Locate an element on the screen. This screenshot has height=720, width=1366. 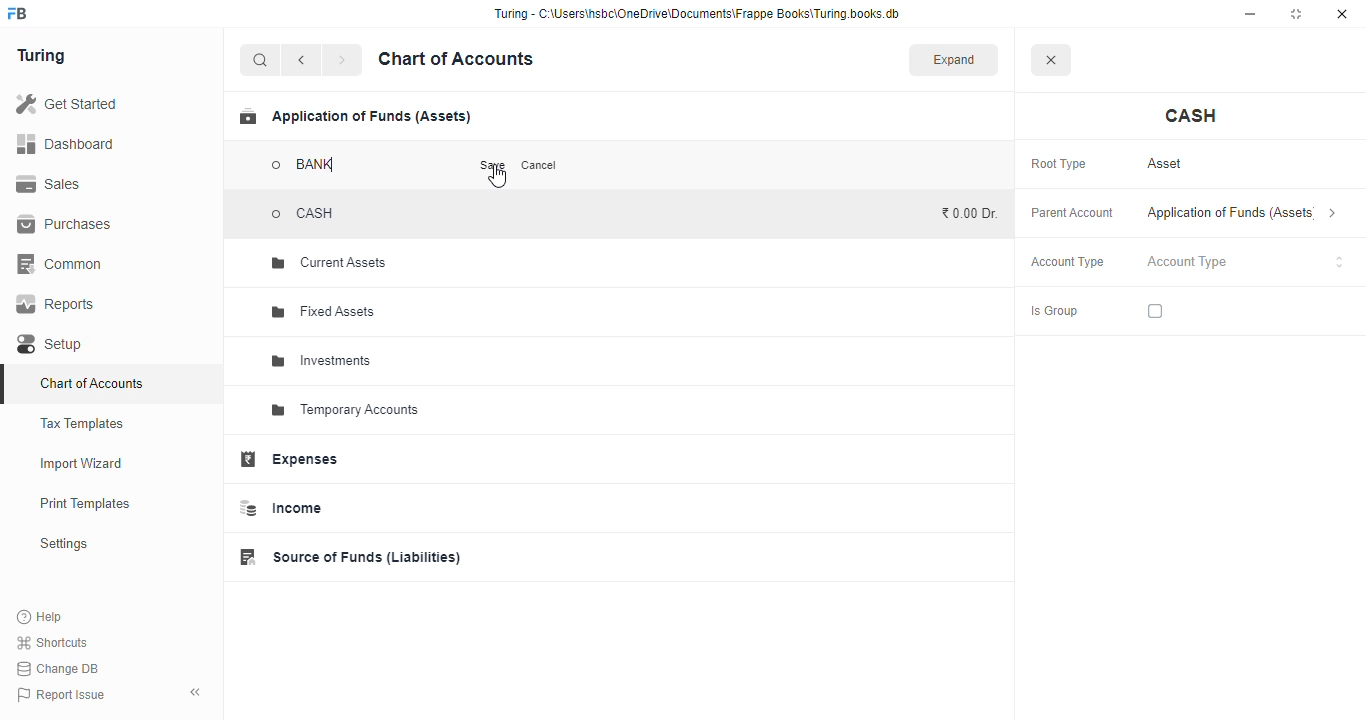
parent account is located at coordinates (1073, 214).